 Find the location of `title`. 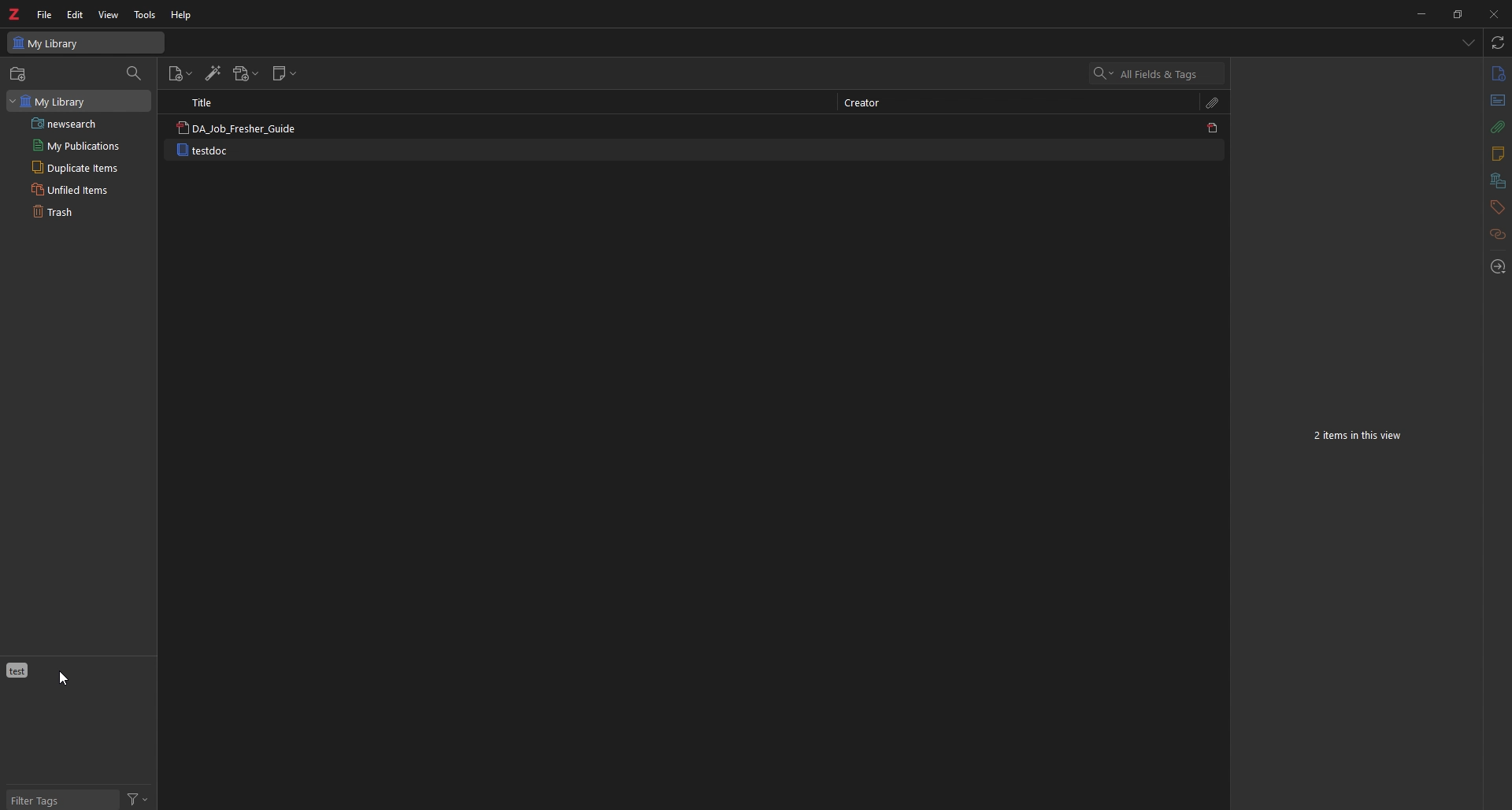

title is located at coordinates (201, 102).